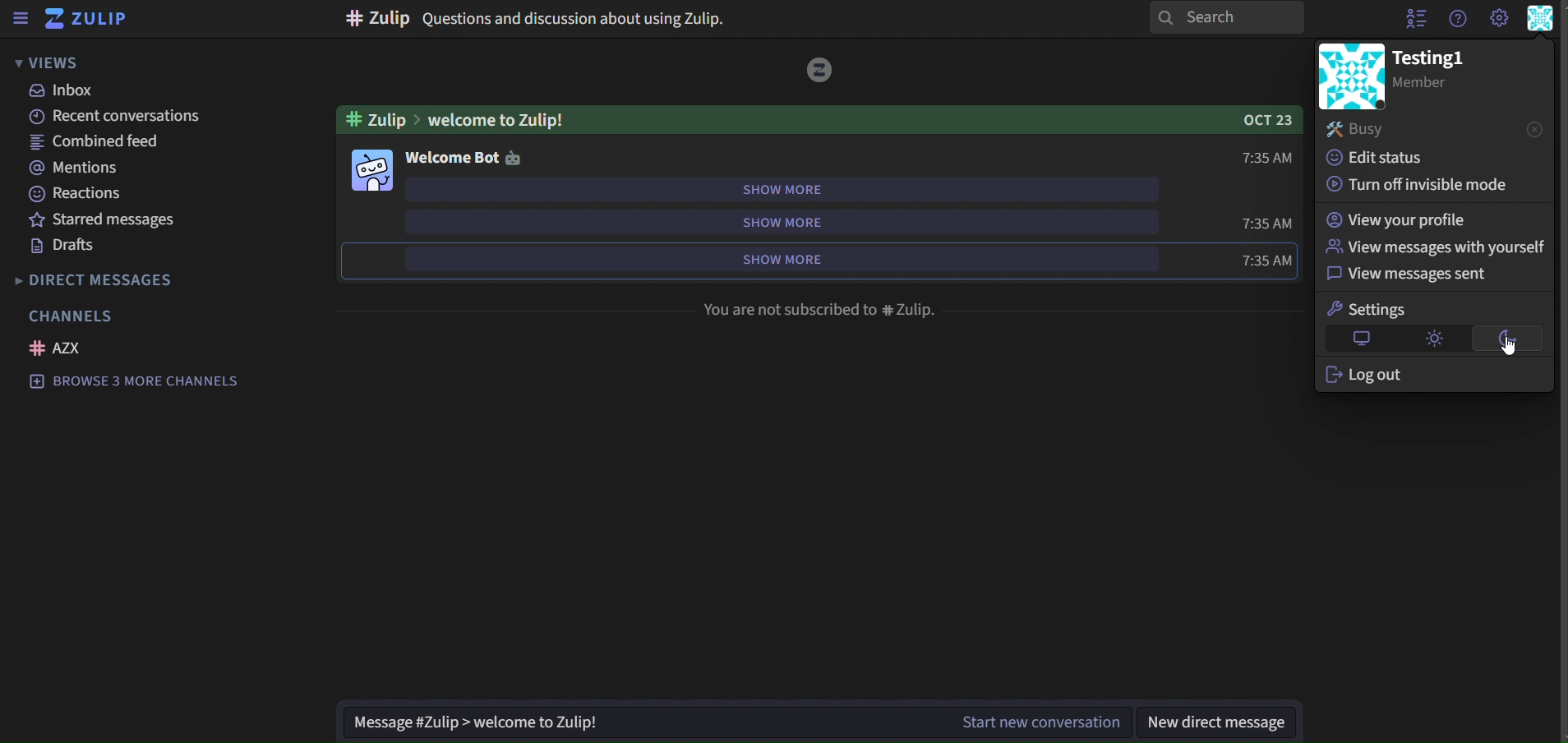 This screenshot has height=743, width=1568. What do you see at coordinates (1419, 183) in the screenshot?
I see `turn off invisible mode` at bounding box center [1419, 183].